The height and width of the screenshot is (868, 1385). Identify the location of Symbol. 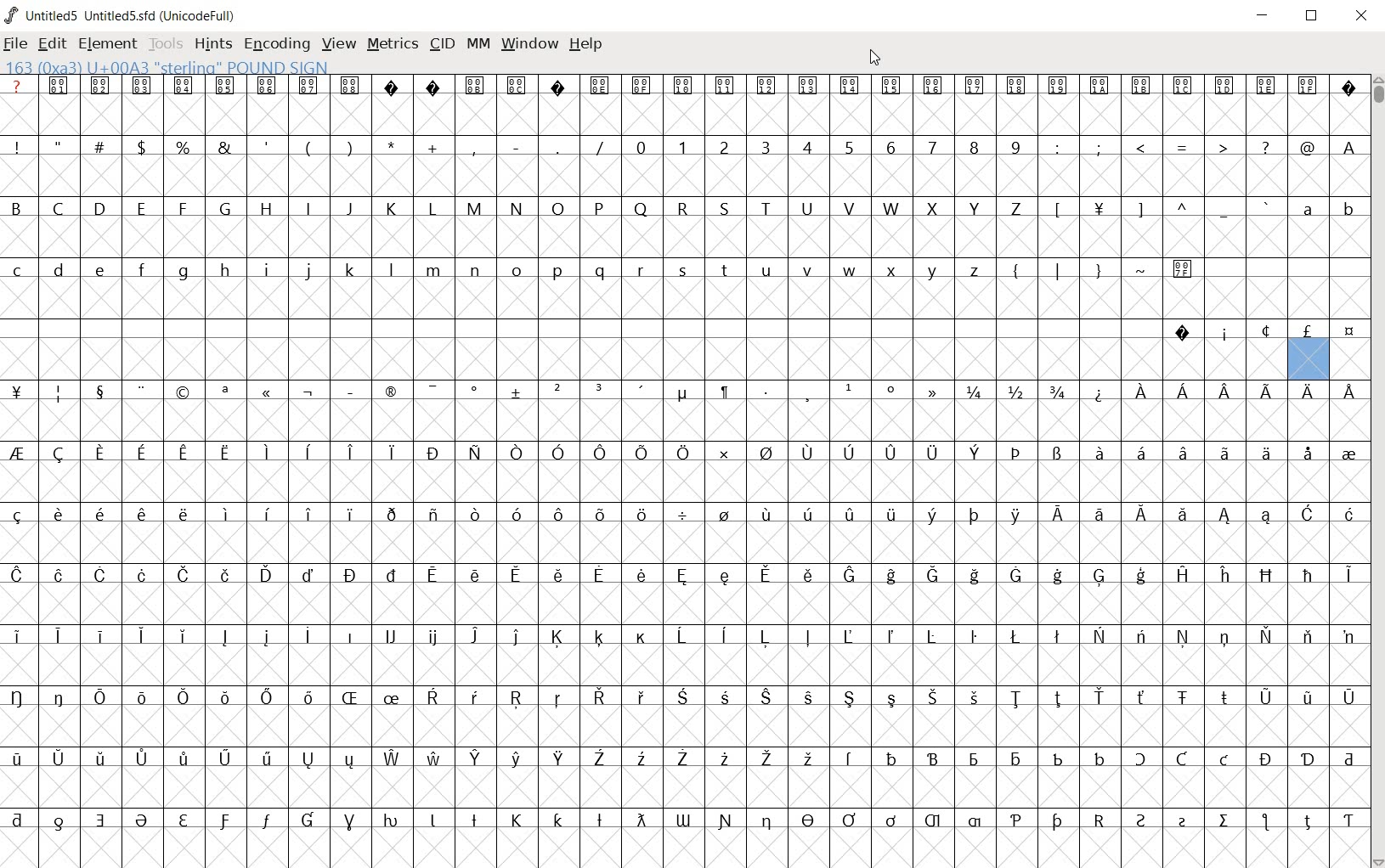
(475, 392).